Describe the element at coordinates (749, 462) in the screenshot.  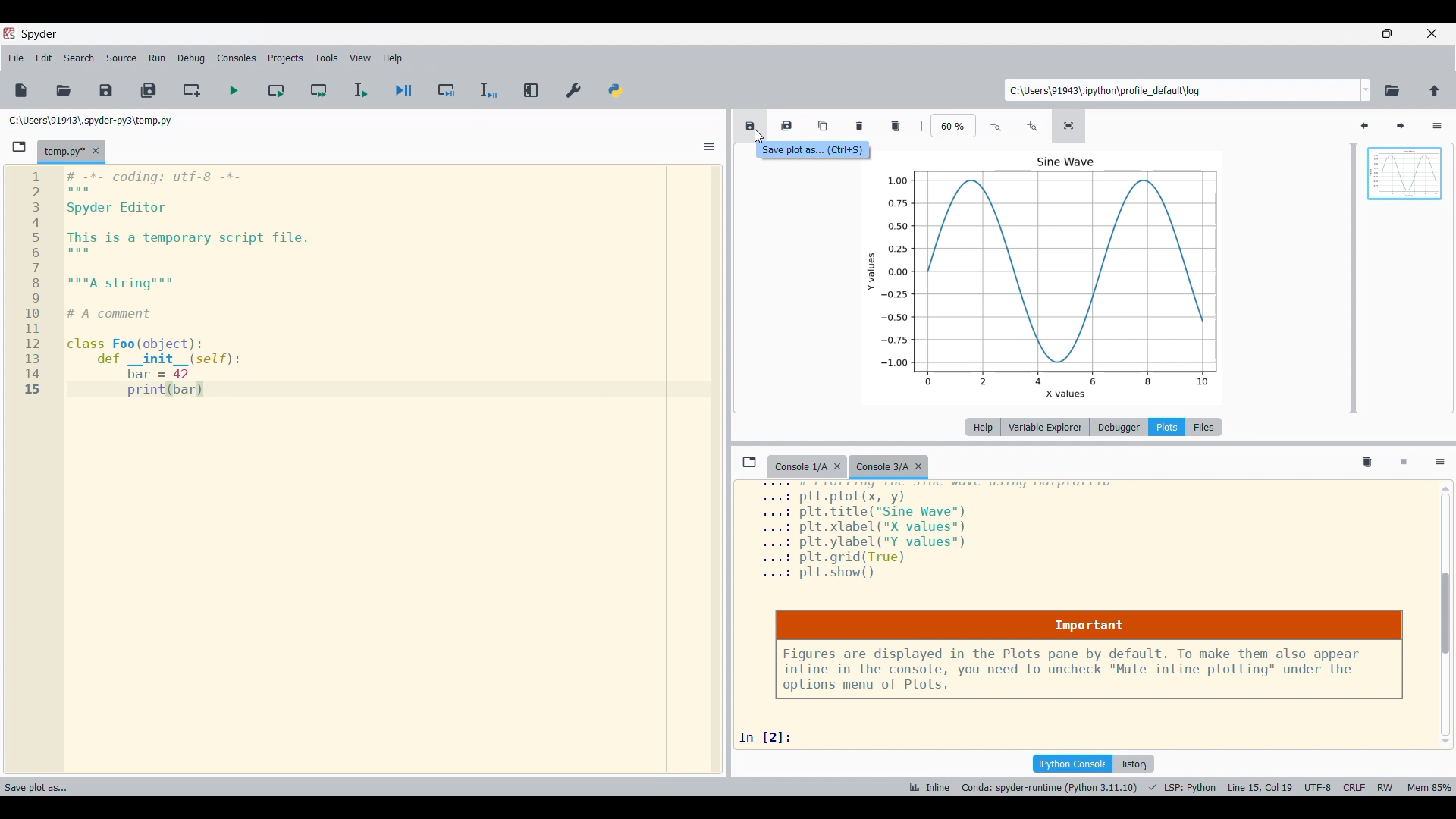
I see `Browse tabs` at that location.